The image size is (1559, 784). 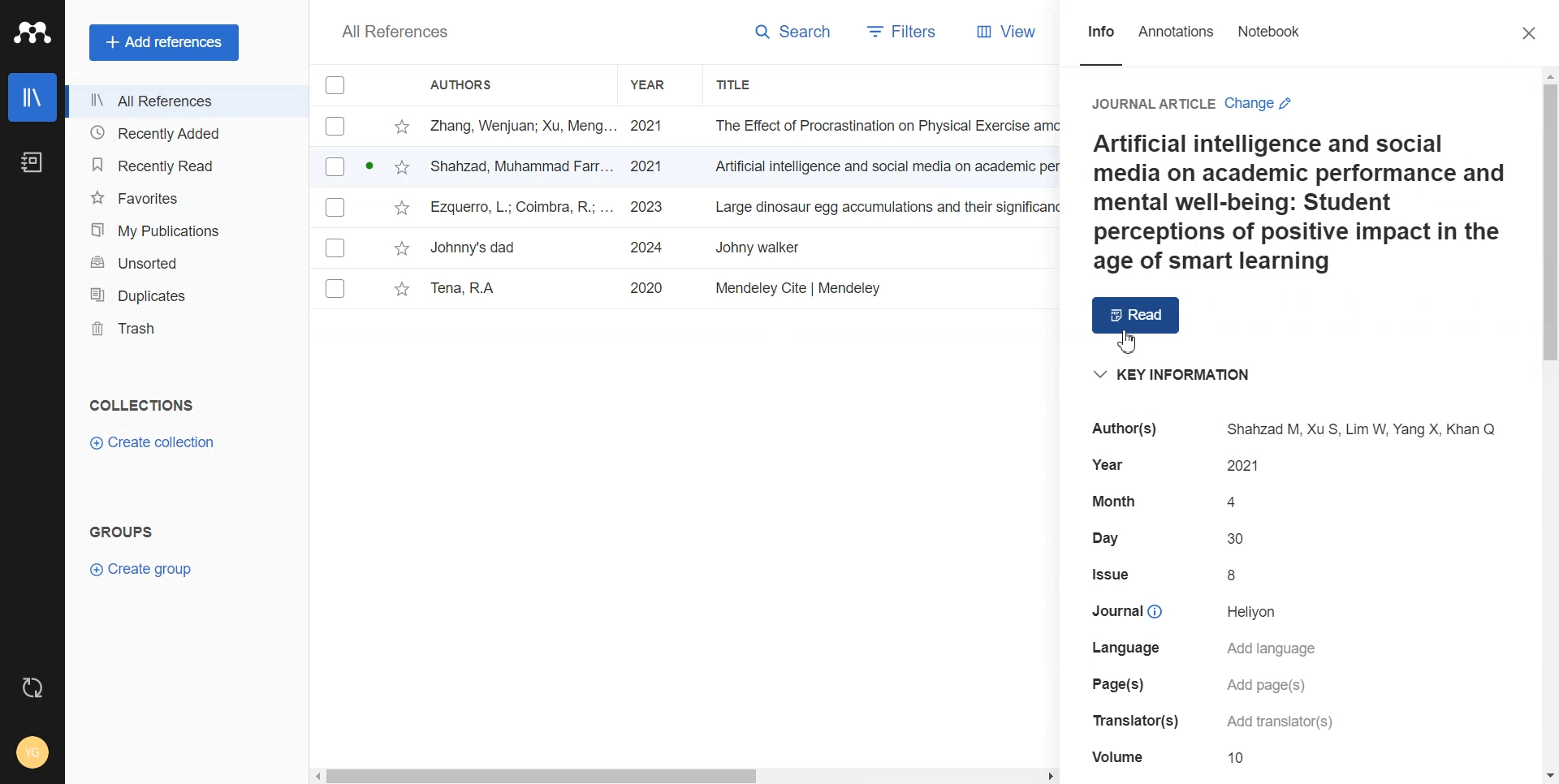 What do you see at coordinates (687, 167) in the screenshot?
I see `File` at bounding box center [687, 167].